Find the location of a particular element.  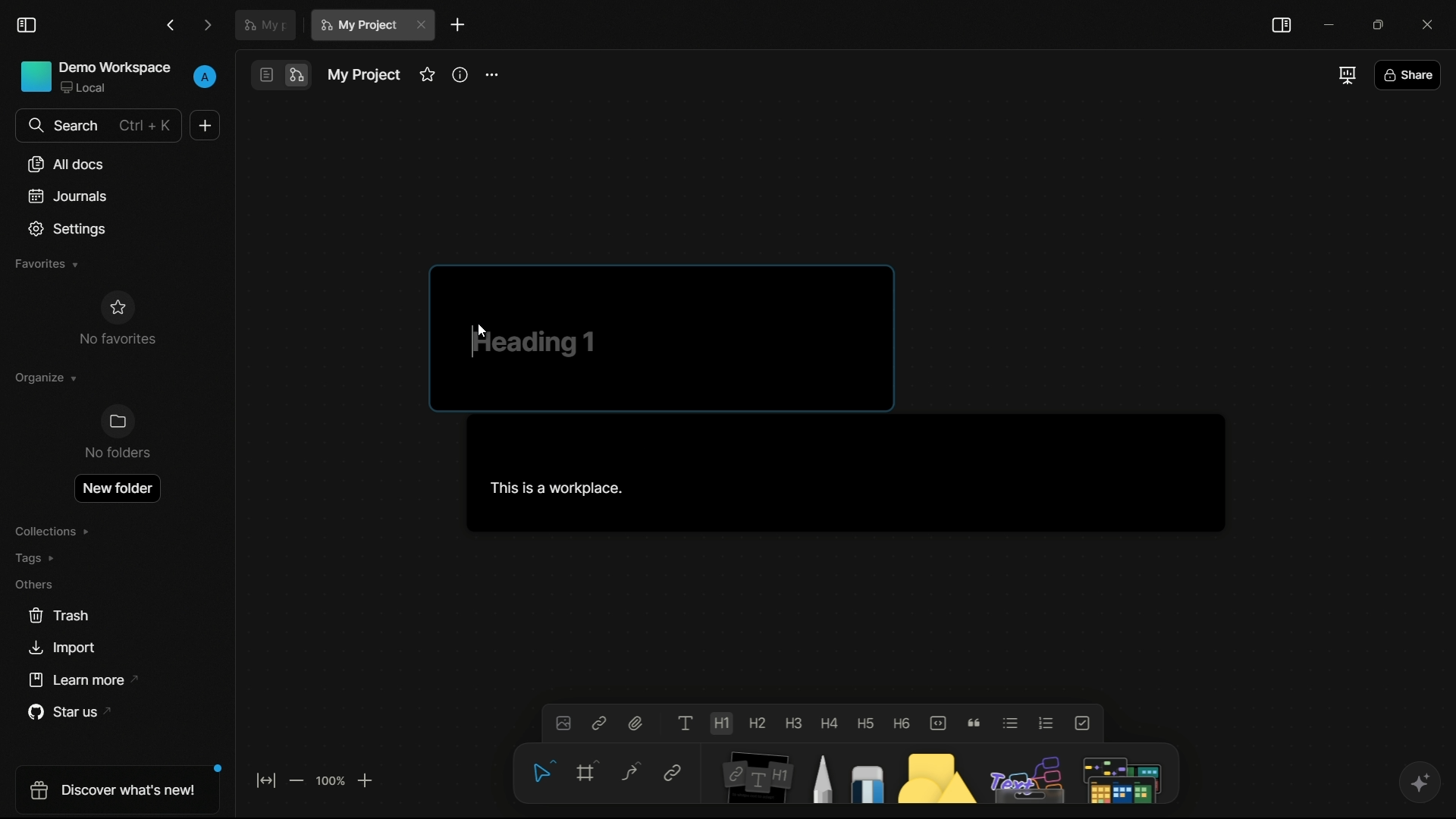

heading 1 is located at coordinates (659, 340).